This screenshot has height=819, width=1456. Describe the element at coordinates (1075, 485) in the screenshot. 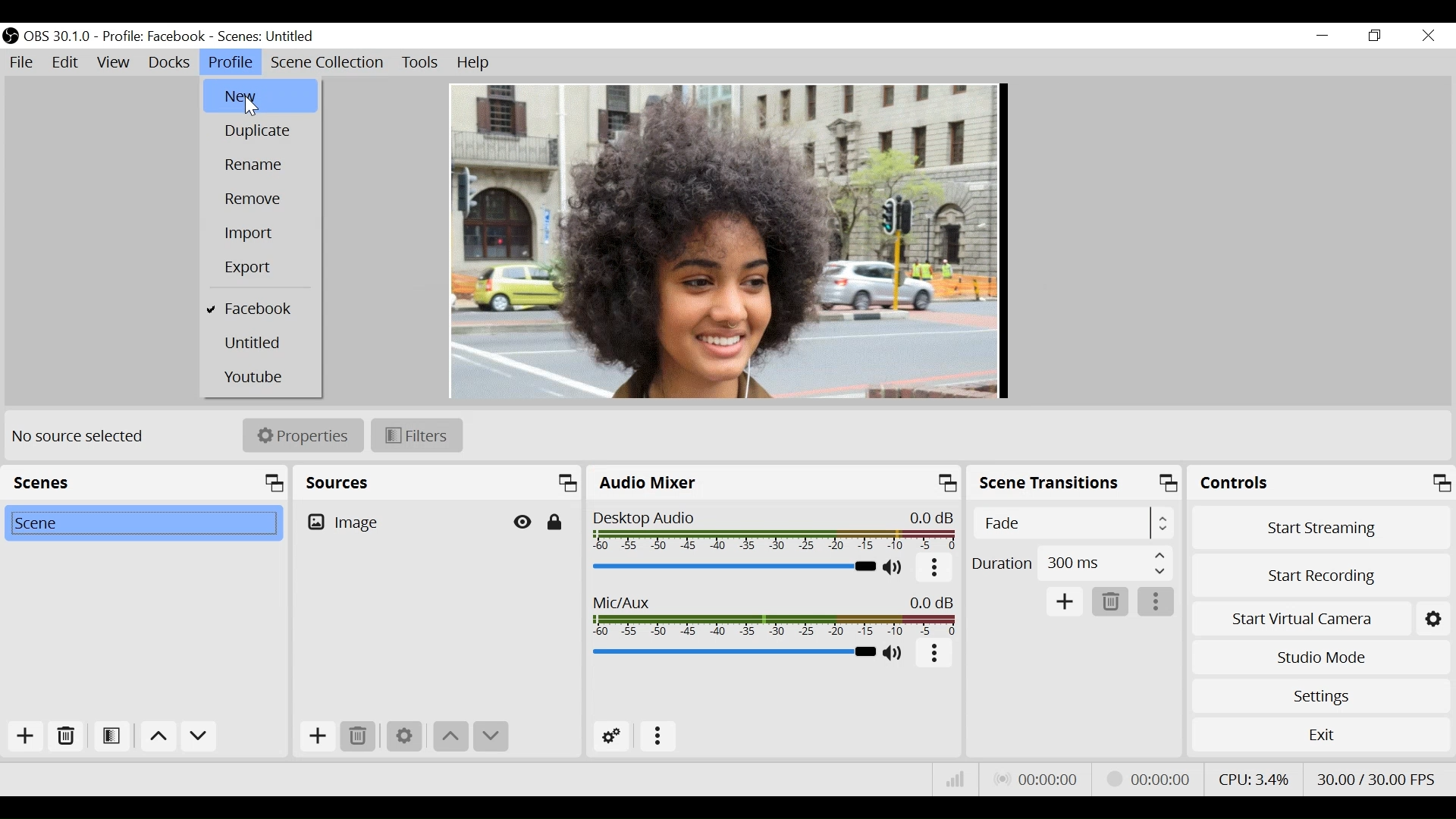

I see `Scene Transitions` at that location.